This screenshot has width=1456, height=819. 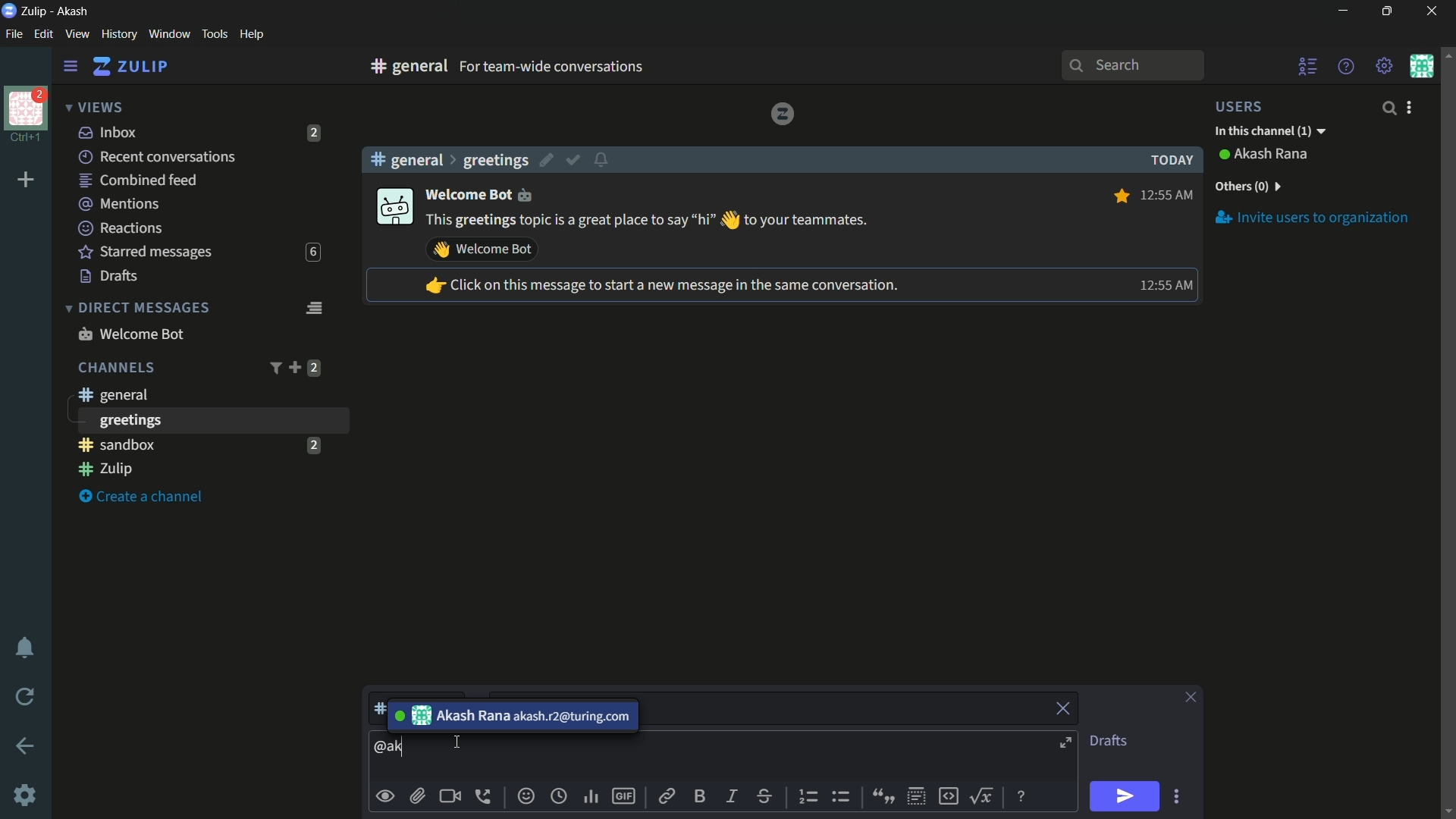 What do you see at coordinates (1023, 795) in the screenshot?
I see `message formatting` at bounding box center [1023, 795].